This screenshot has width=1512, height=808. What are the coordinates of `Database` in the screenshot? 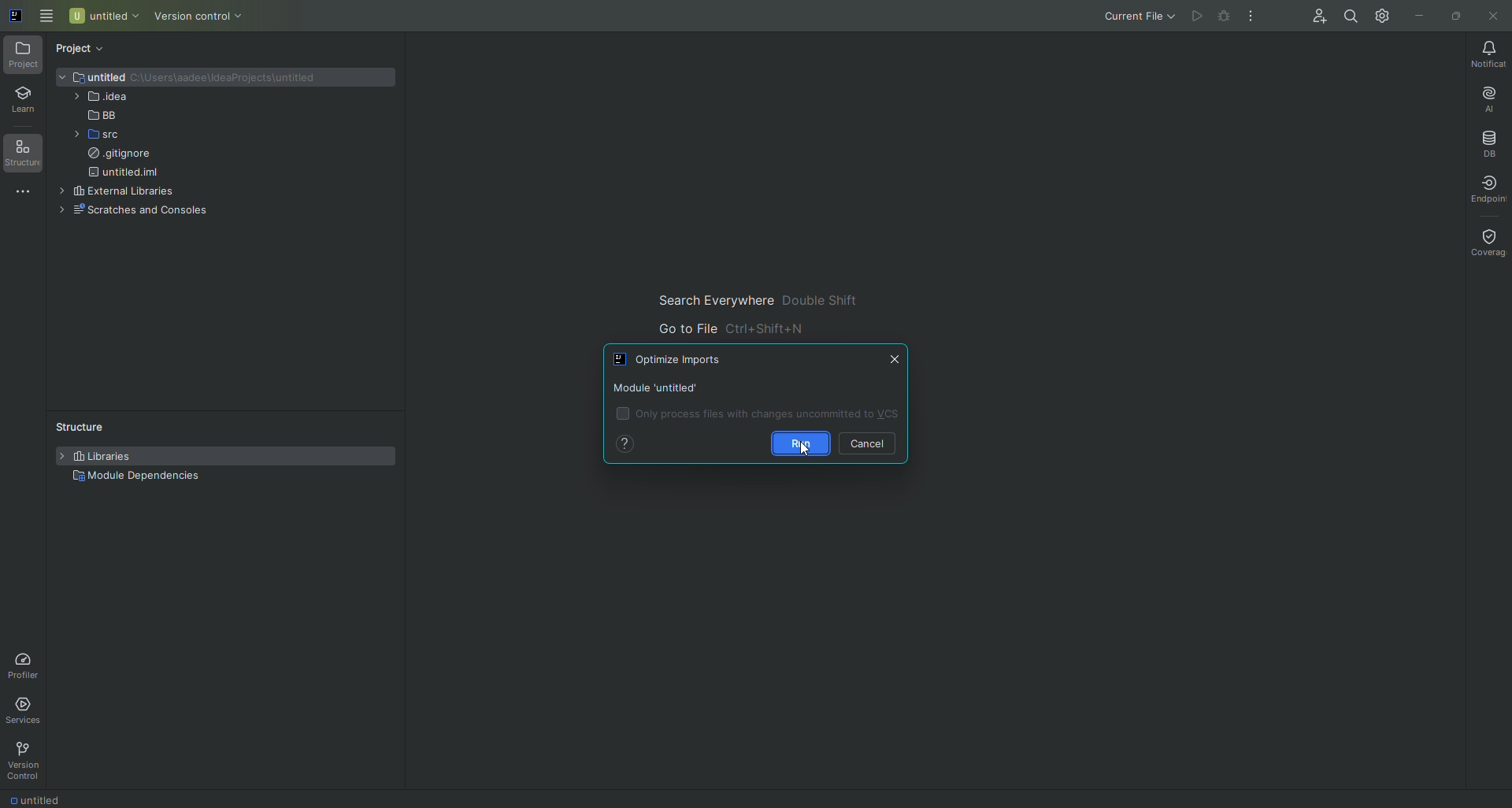 It's located at (1484, 144).